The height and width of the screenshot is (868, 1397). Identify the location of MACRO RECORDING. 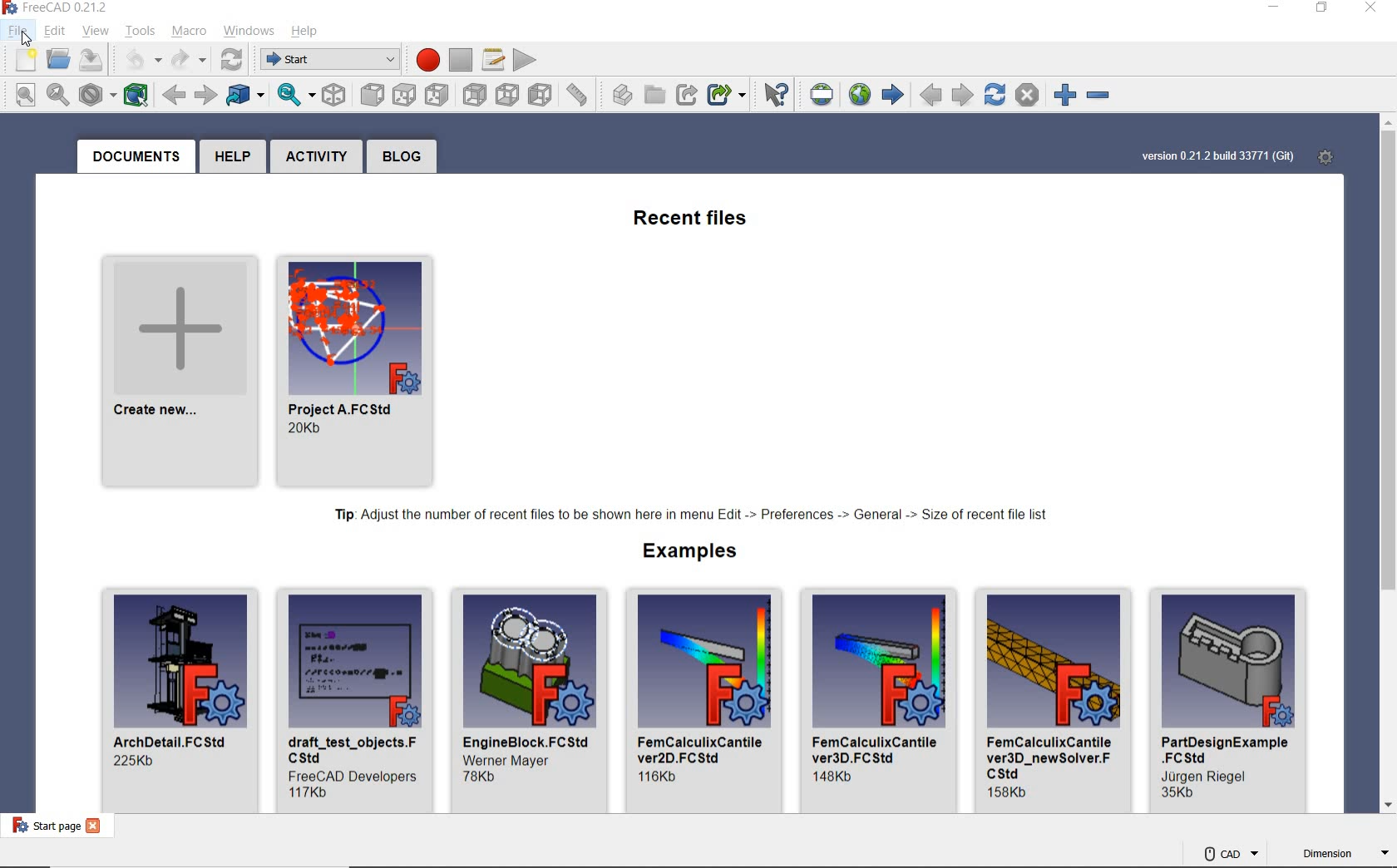
(423, 58).